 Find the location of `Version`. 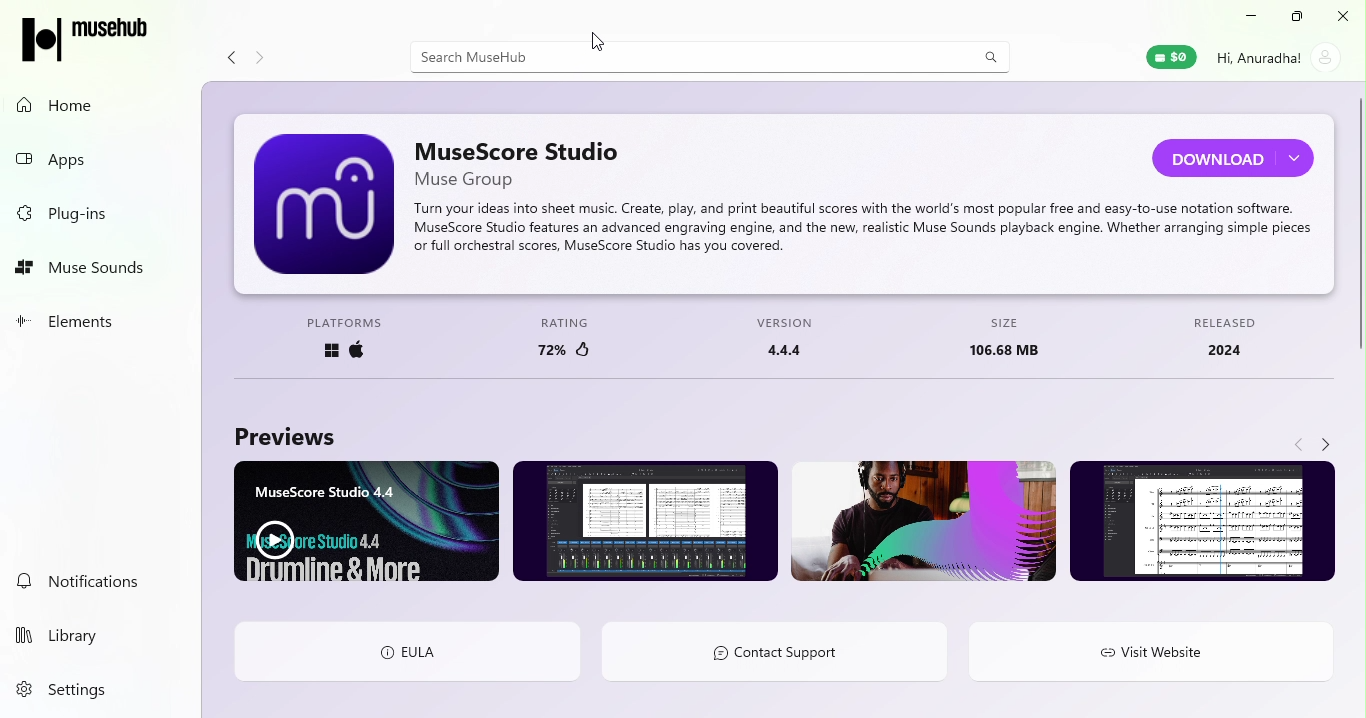

Version is located at coordinates (789, 337).